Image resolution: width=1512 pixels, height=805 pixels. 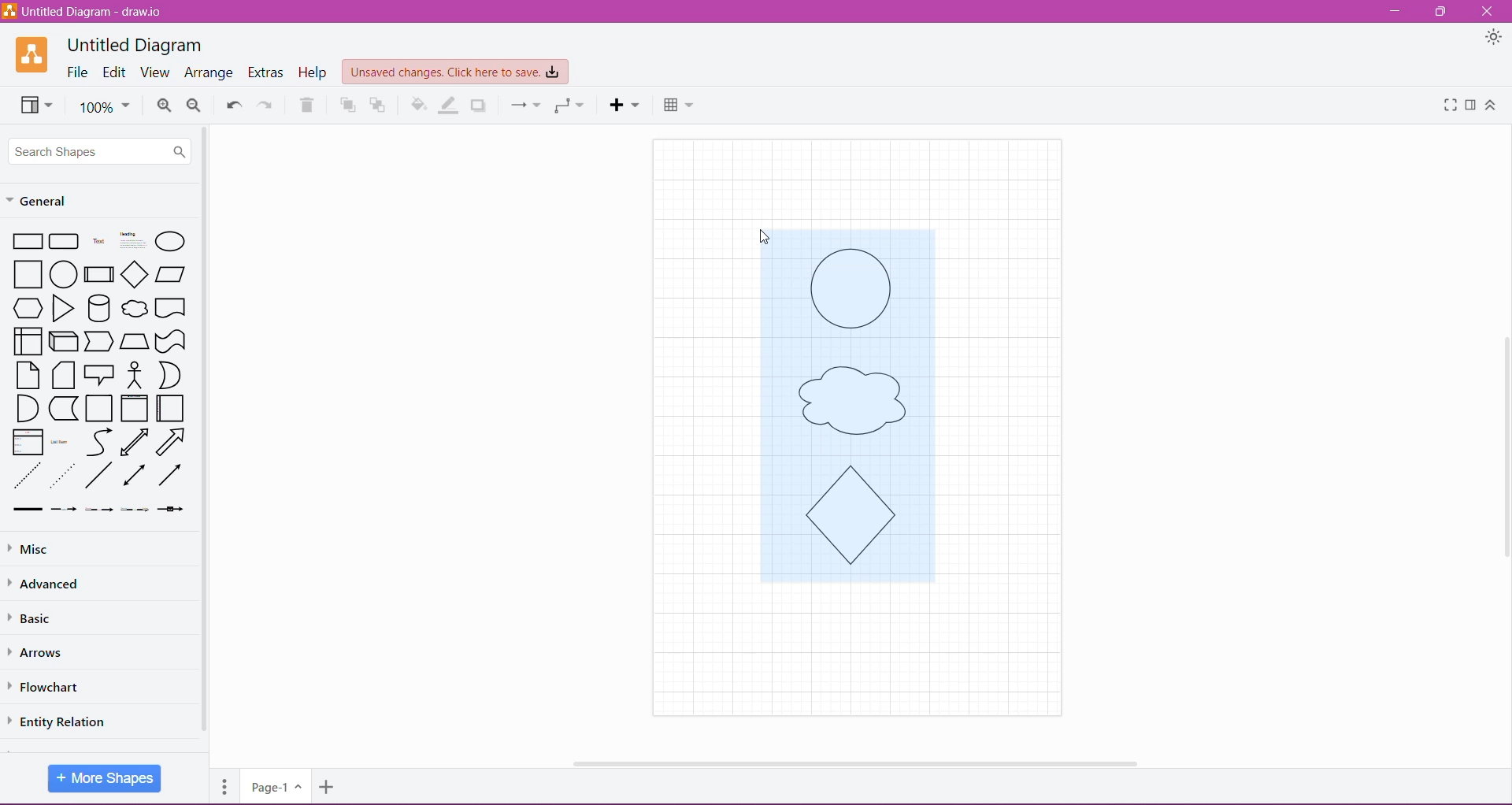 I want to click on Pages, so click(x=222, y=785).